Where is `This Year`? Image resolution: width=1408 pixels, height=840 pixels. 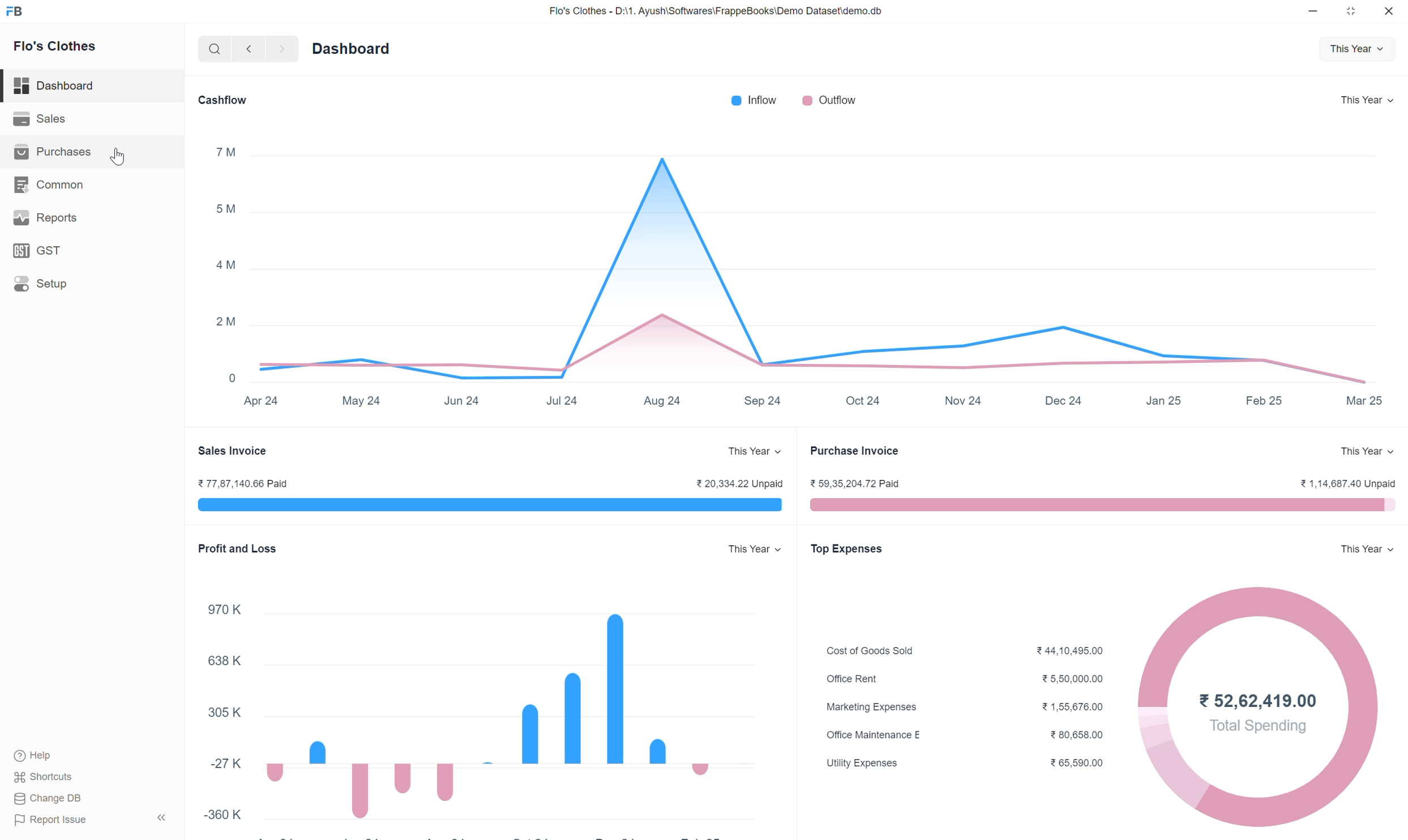 This Year is located at coordinates (1367, 451).